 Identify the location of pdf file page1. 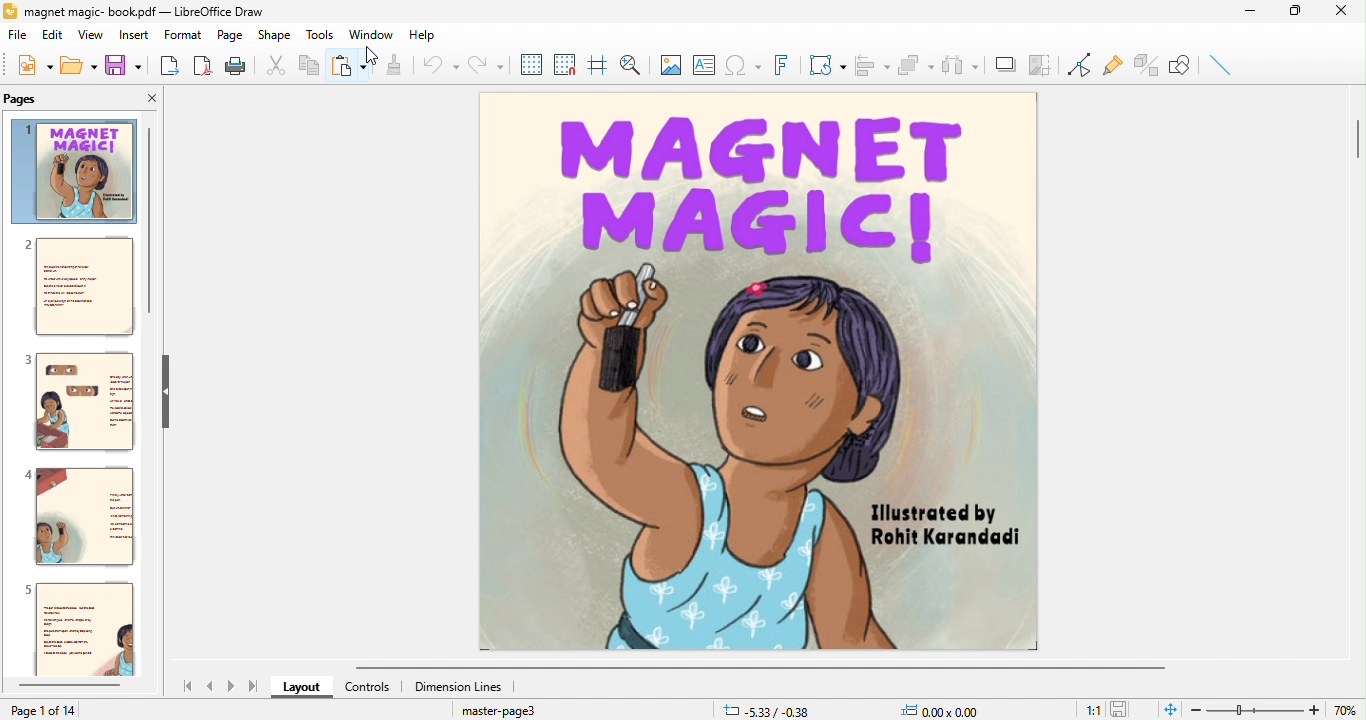
(75, 171).